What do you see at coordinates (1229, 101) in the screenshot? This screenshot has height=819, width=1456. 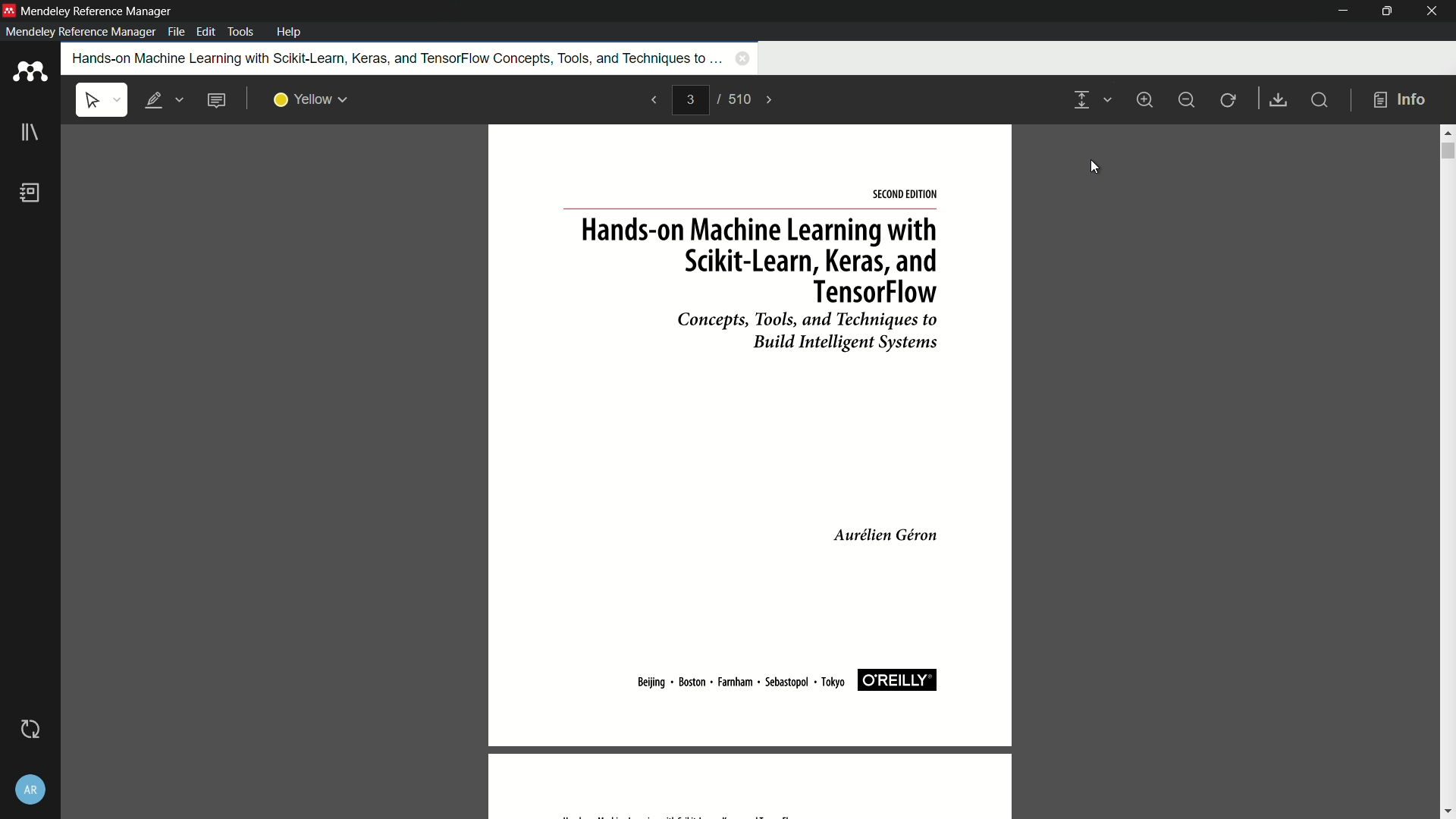 I see `refresh` at bounding box center [1229, 101].